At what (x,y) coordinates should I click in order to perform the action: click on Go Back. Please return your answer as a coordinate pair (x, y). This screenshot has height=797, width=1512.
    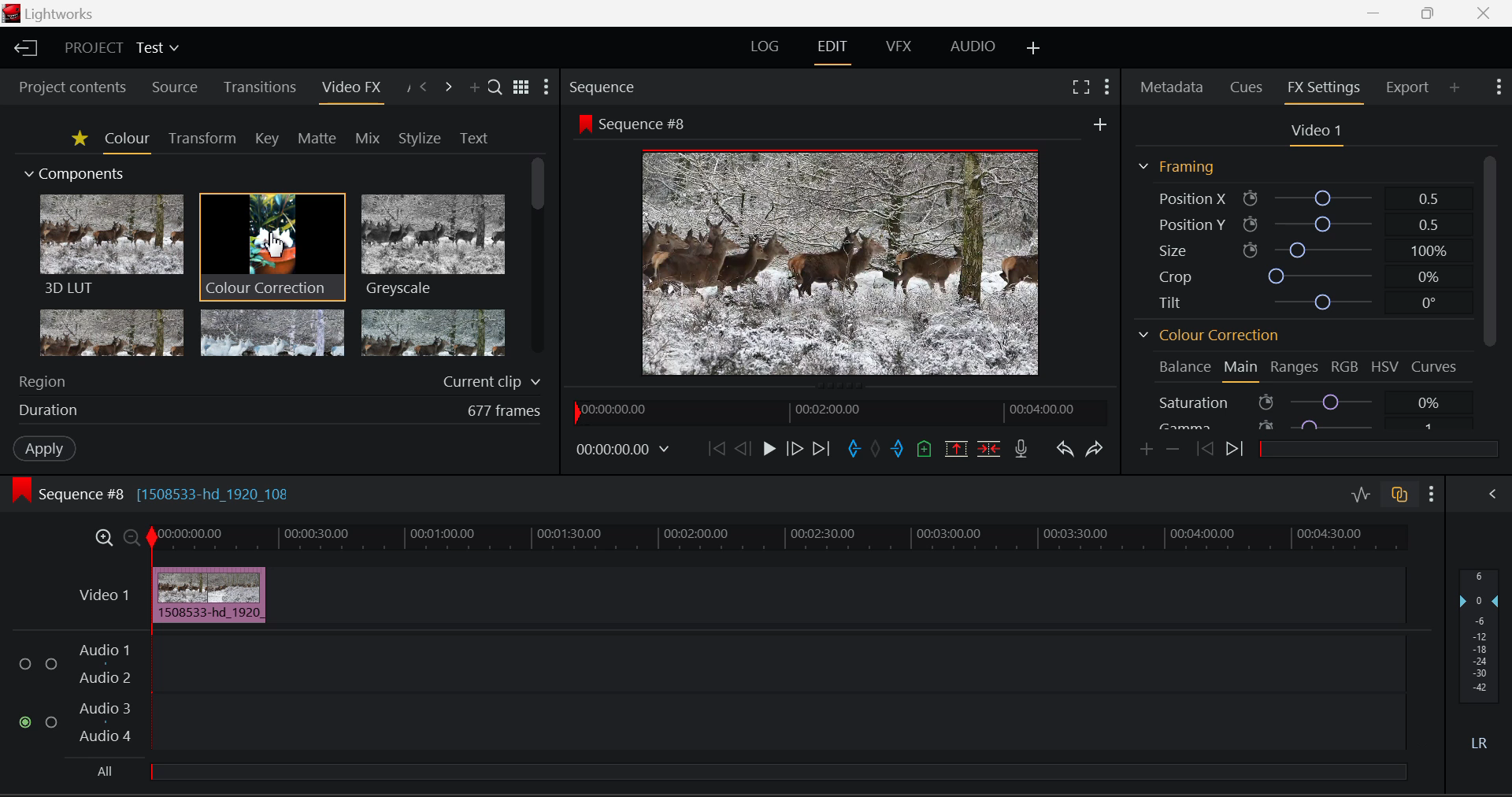
    Looking at the image, I should click on (742, 449).